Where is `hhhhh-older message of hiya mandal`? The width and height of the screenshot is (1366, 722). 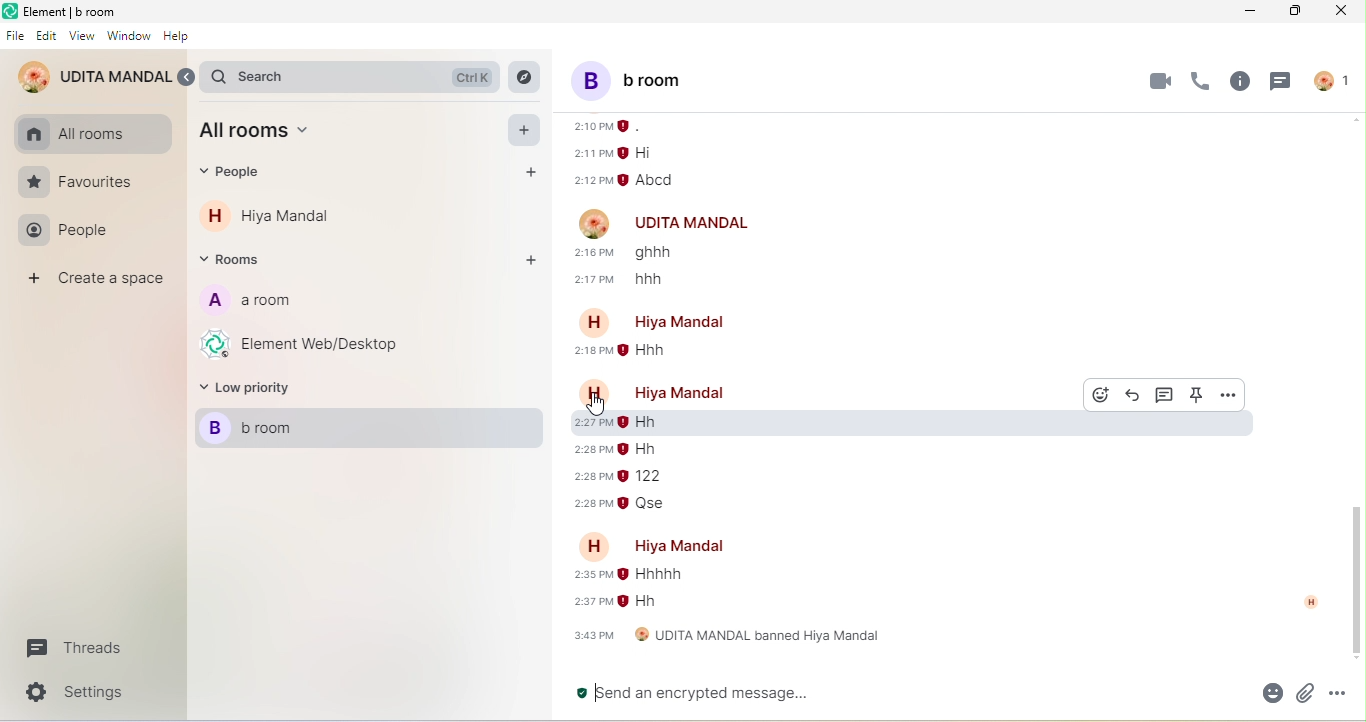
hhhhh-older message of hiya mandal is located at coordinates (654, 575).